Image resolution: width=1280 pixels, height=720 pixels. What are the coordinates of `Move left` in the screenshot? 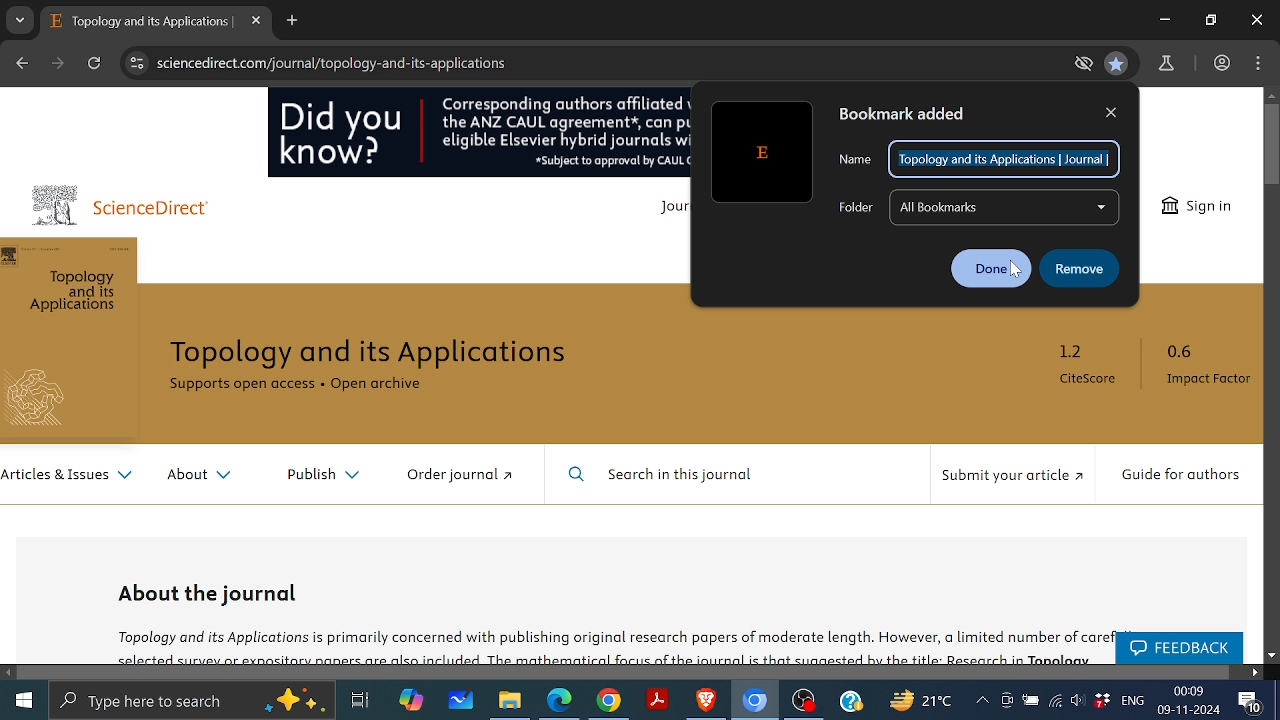 It's located at (9, 672).